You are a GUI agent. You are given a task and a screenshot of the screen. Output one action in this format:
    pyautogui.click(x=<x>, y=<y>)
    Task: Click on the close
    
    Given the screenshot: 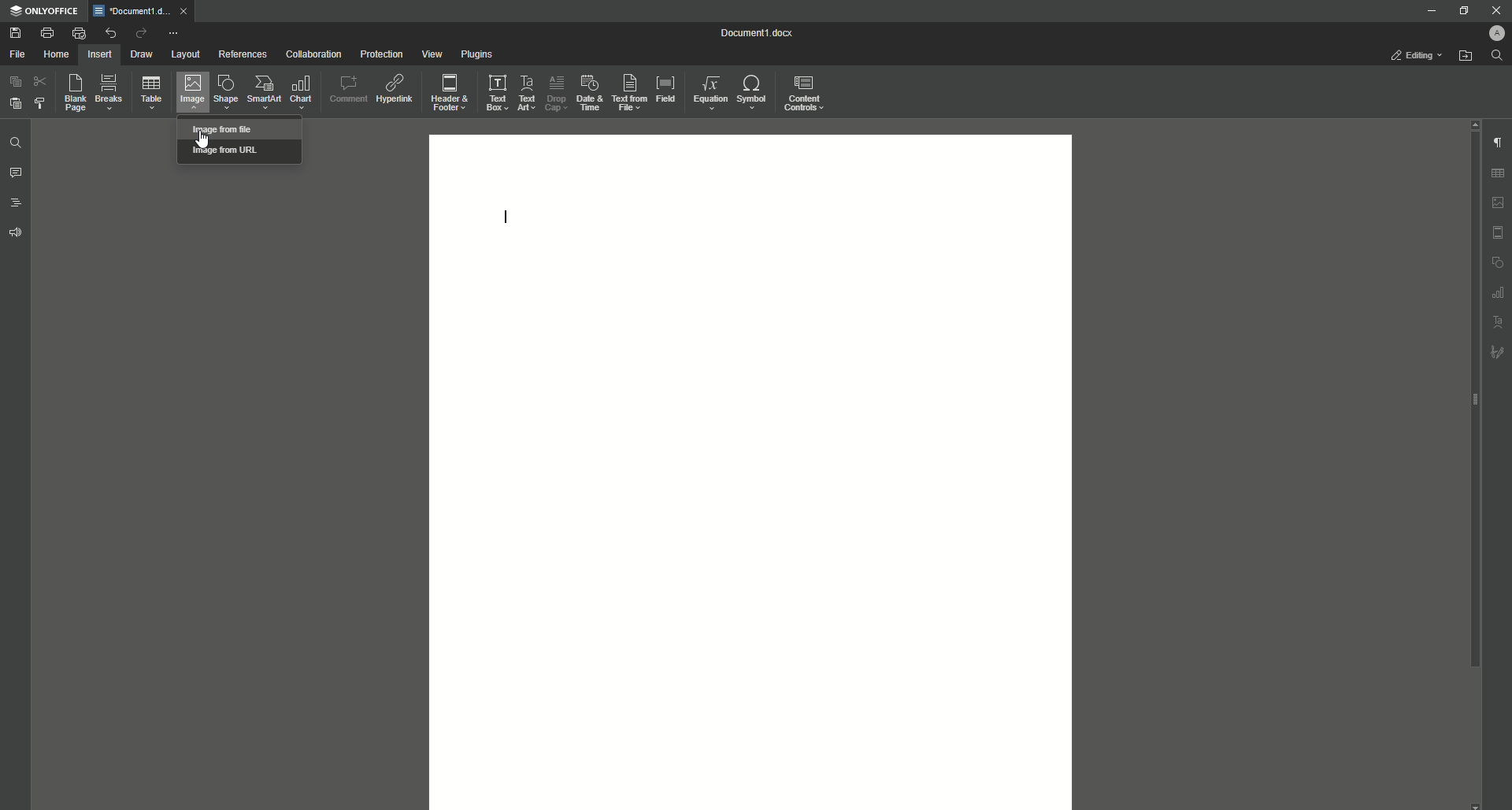 What is the action you would take?
    pyautogui.click(x=184, y=10)
    